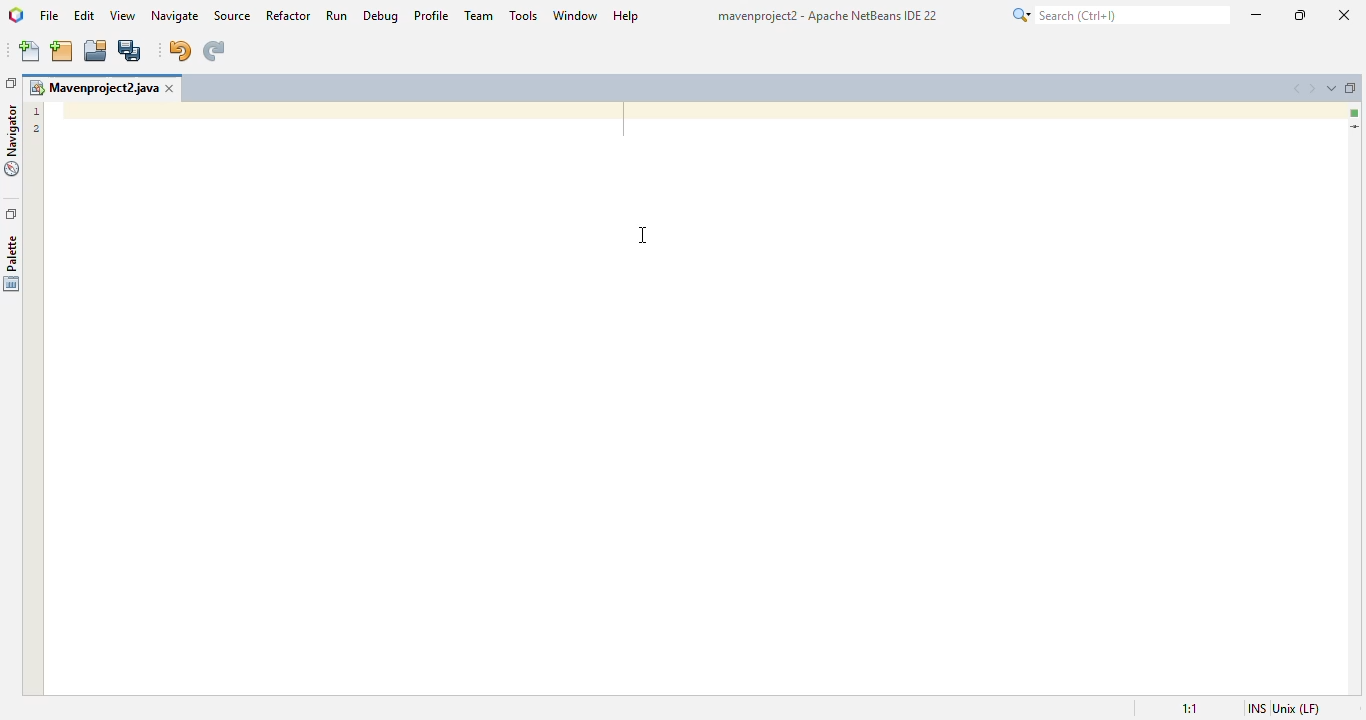 The width and height of the screenshot is (1366, 720). What do you see at coordinates (1190, 708) in the screenshot?
I see `magnification ratio` at bounding box center [1190, 708].